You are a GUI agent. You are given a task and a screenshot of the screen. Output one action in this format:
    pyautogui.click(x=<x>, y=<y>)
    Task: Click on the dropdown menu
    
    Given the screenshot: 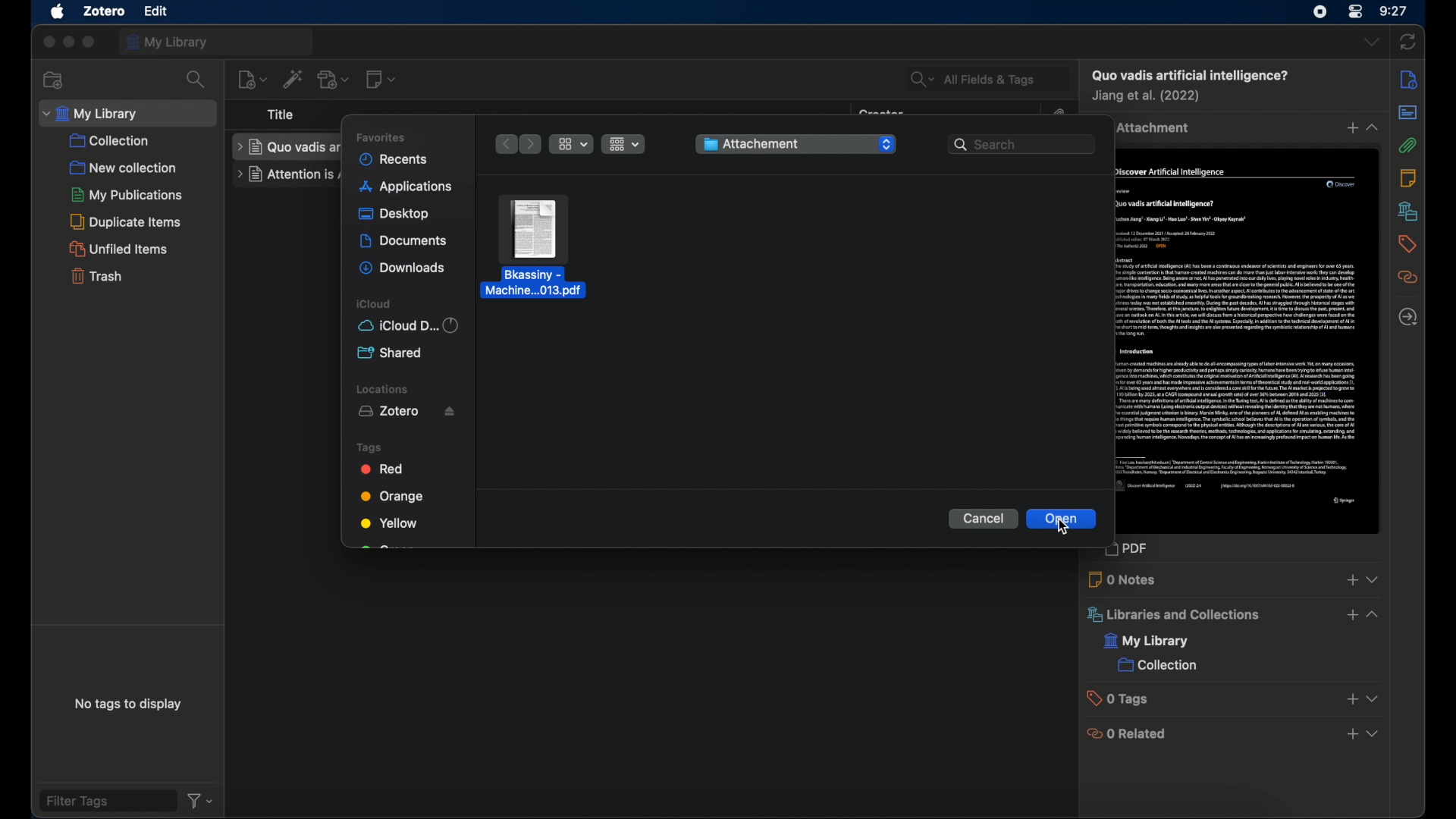 What is the action you would take?
    pyautogui.click(x=1375, y=735)
    